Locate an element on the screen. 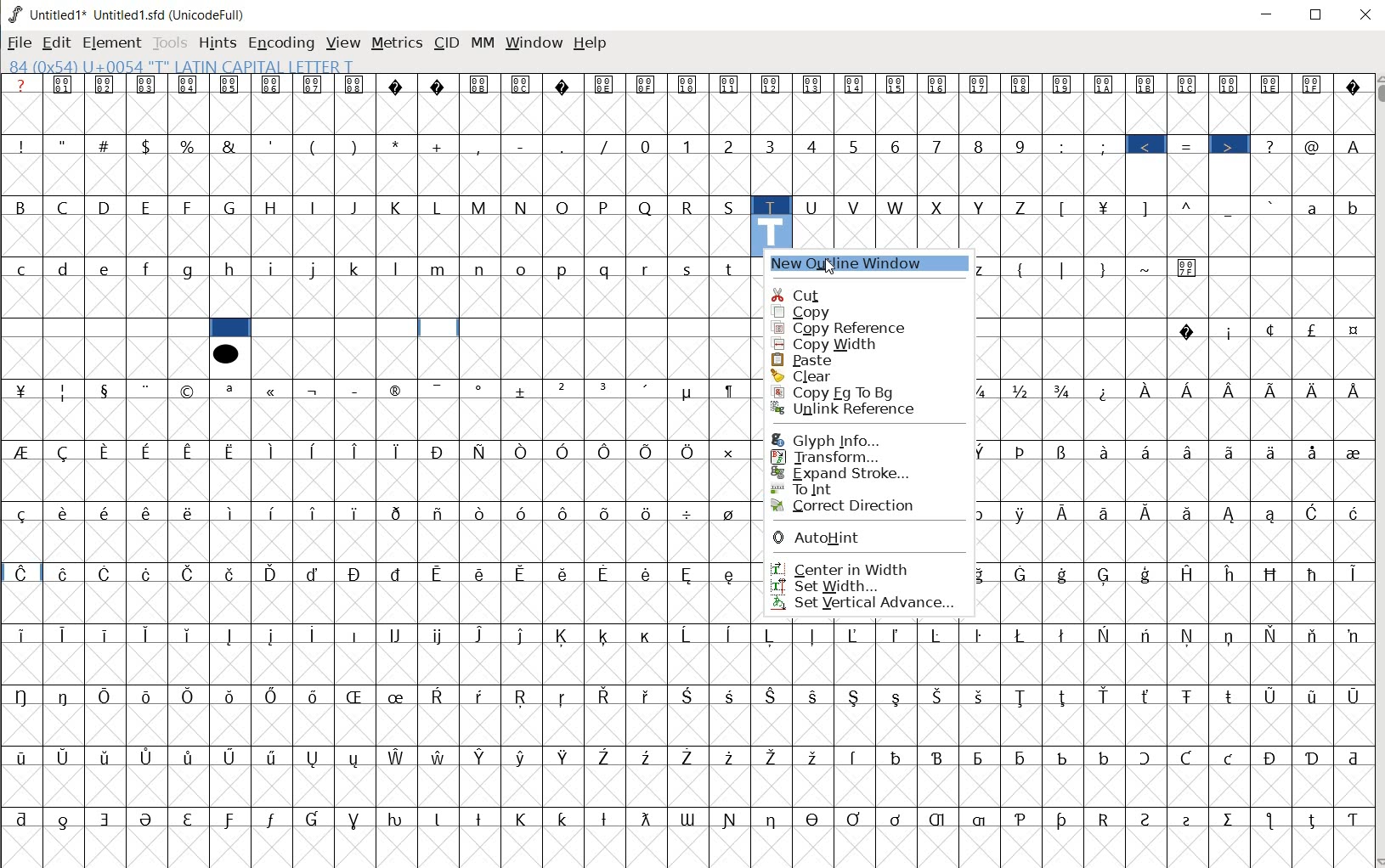 Image resolution: width=1385 pixels, height=868 pixels. Symbol is located at coordinates (647, 819).